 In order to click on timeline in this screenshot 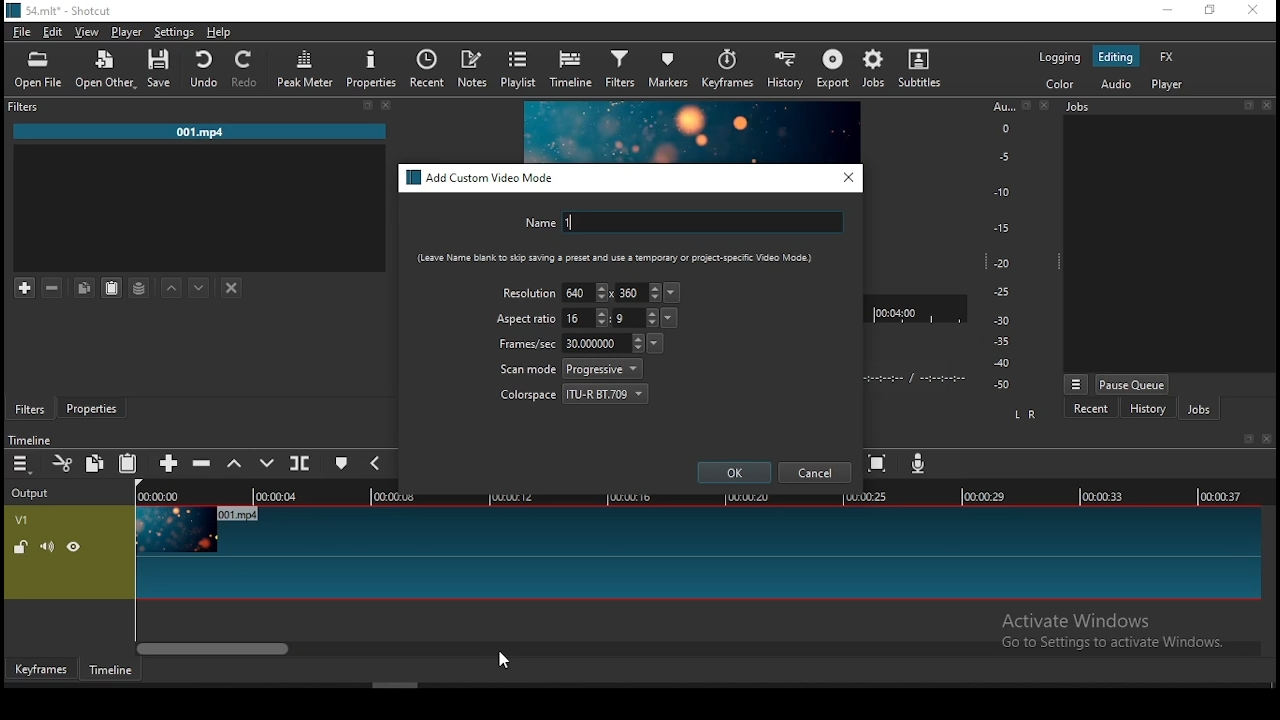, I will do `click(573, 69)`.